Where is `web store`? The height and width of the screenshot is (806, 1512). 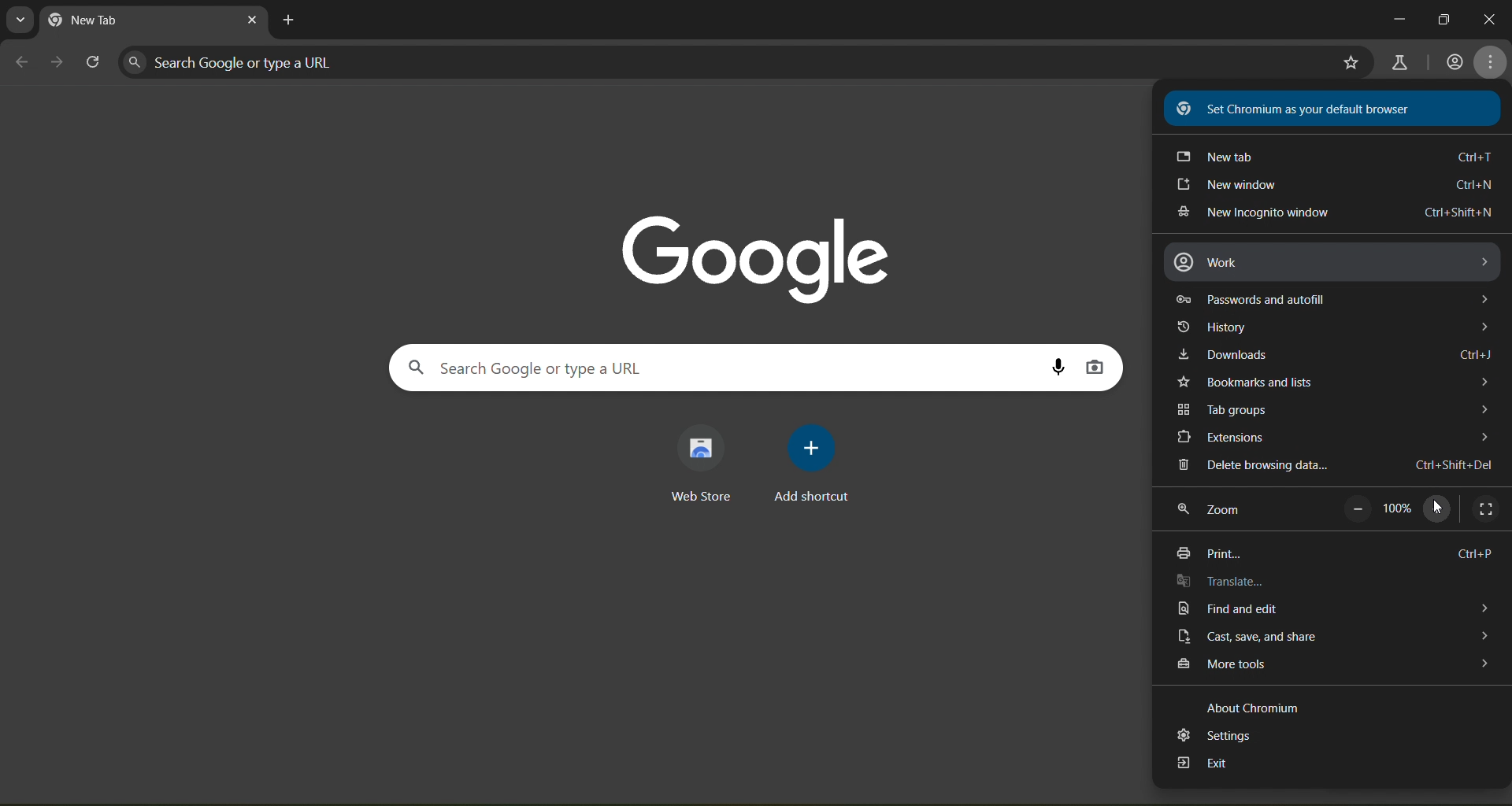
web store is located at coordinates (706, 464).